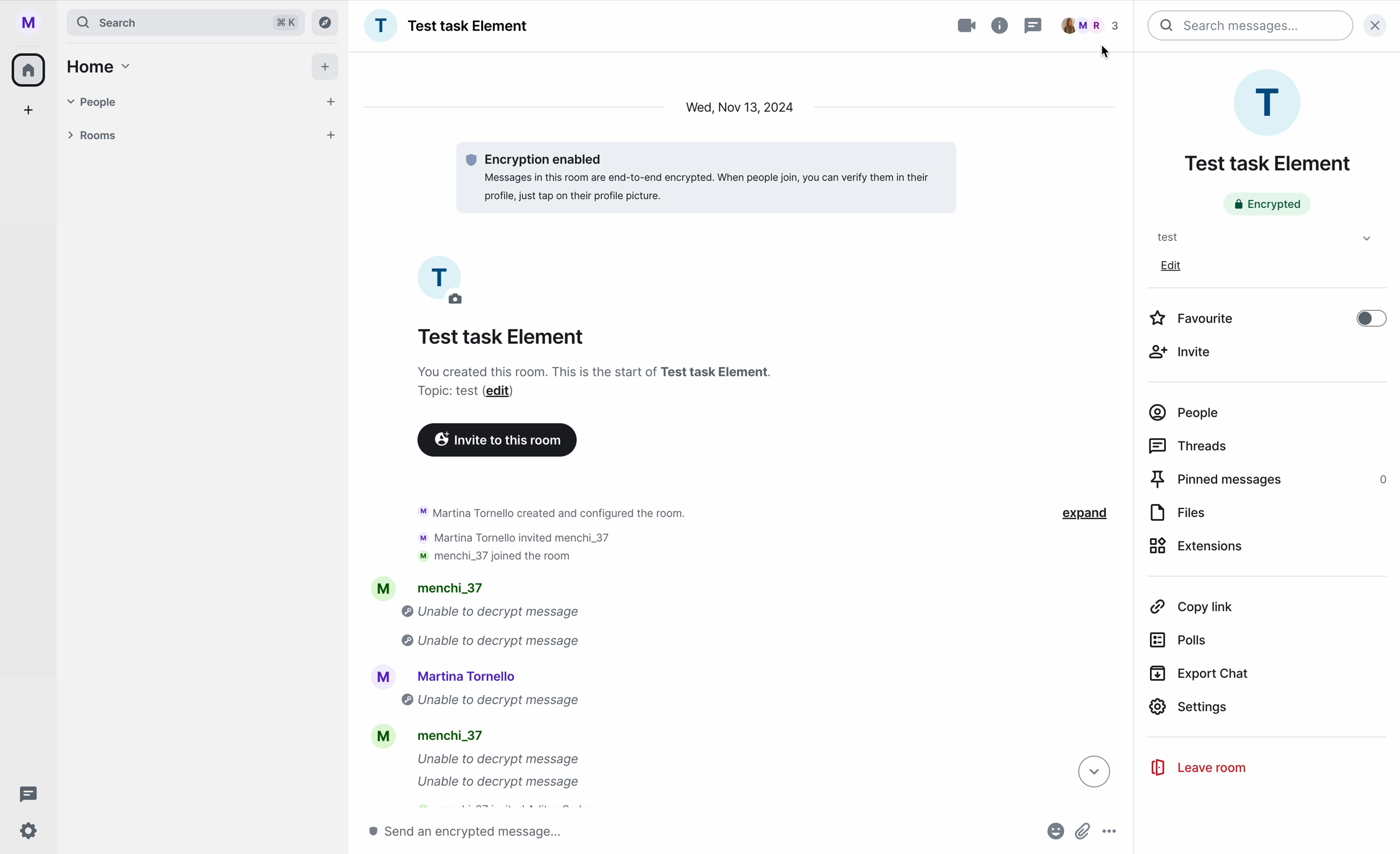 The height and width of the screenshot is (854, 1400). What do you see at coordinates (594, 382) in the screenshot?
I see `description` at bounding box center [594, 382].